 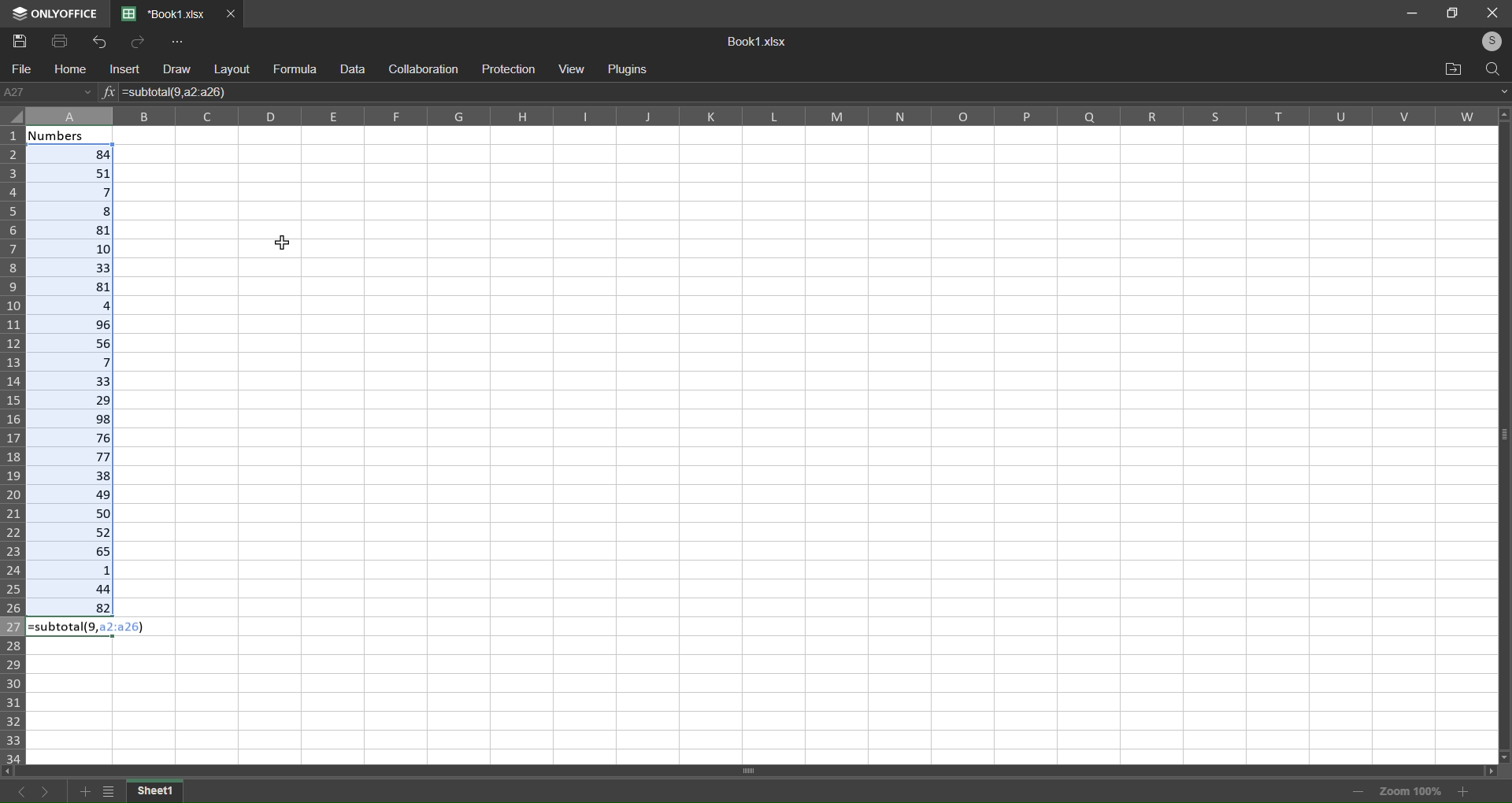 What do you see at coordinates (159, 791) in the screenshot?
I see `current sheet` at bounding box center [159, 791].